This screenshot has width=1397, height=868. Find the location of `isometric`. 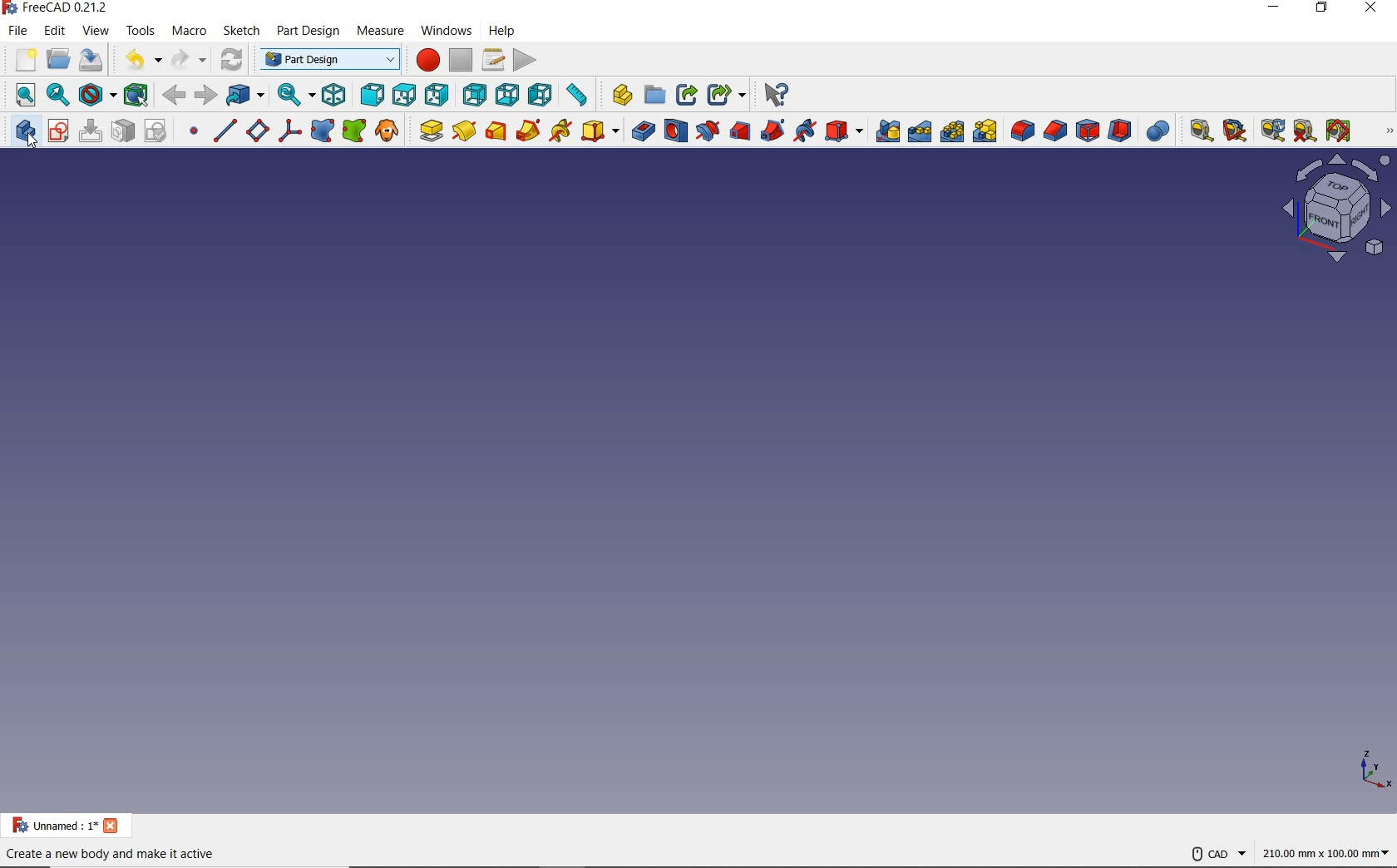

isometric is located at coordinates (335, 96).